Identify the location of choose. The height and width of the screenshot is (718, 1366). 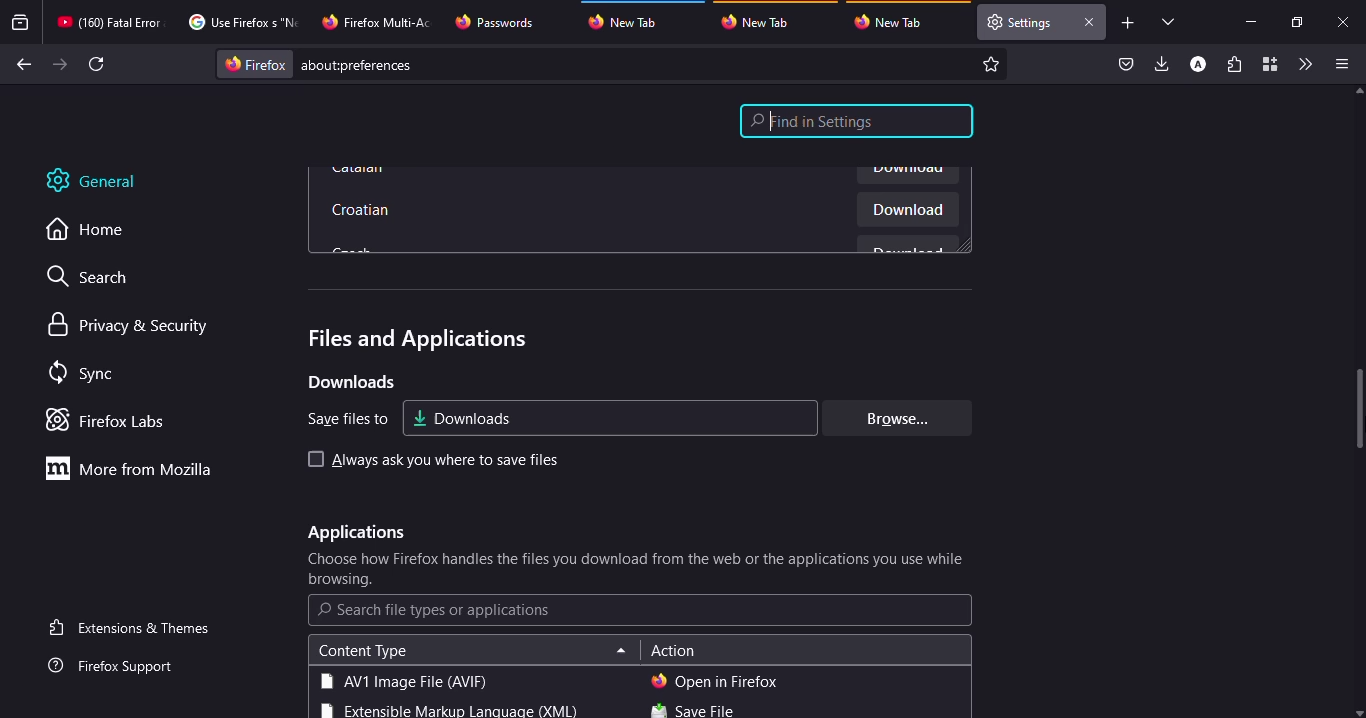
(638, 570).